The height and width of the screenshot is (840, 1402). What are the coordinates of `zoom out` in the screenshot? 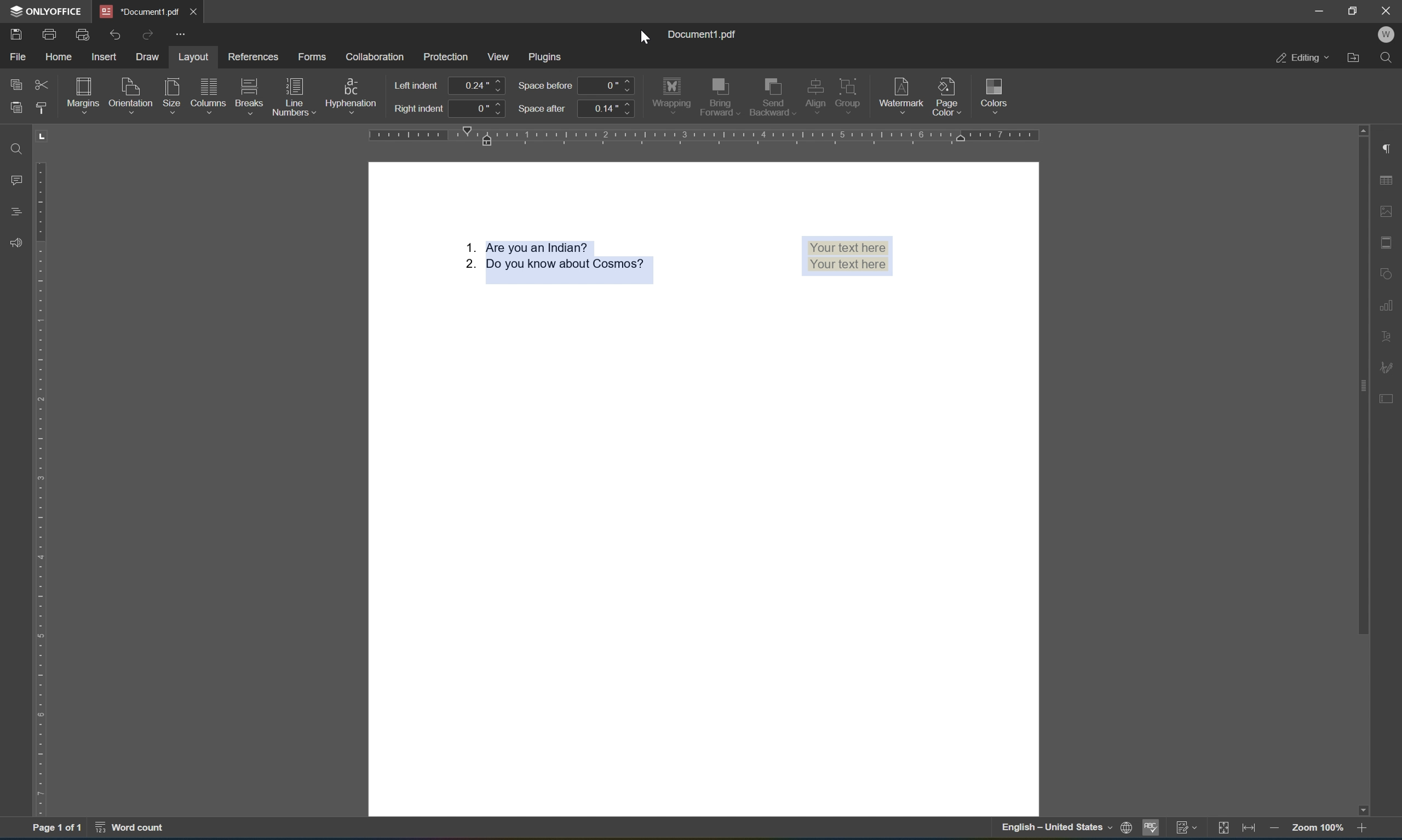 It's located at (1272, 830).